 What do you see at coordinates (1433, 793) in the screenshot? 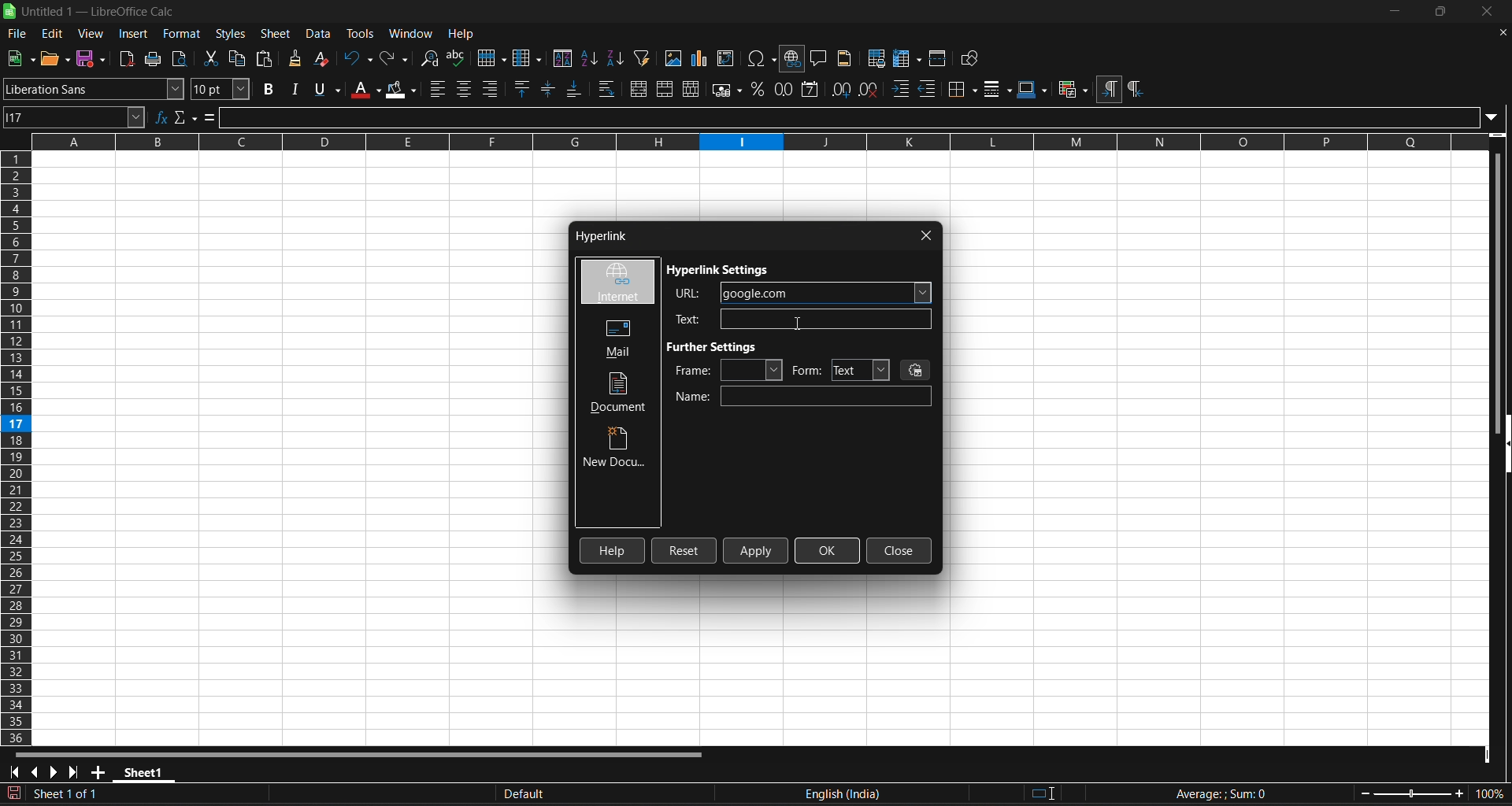
I see `zoom factor` at bounding box center [1433, 793].